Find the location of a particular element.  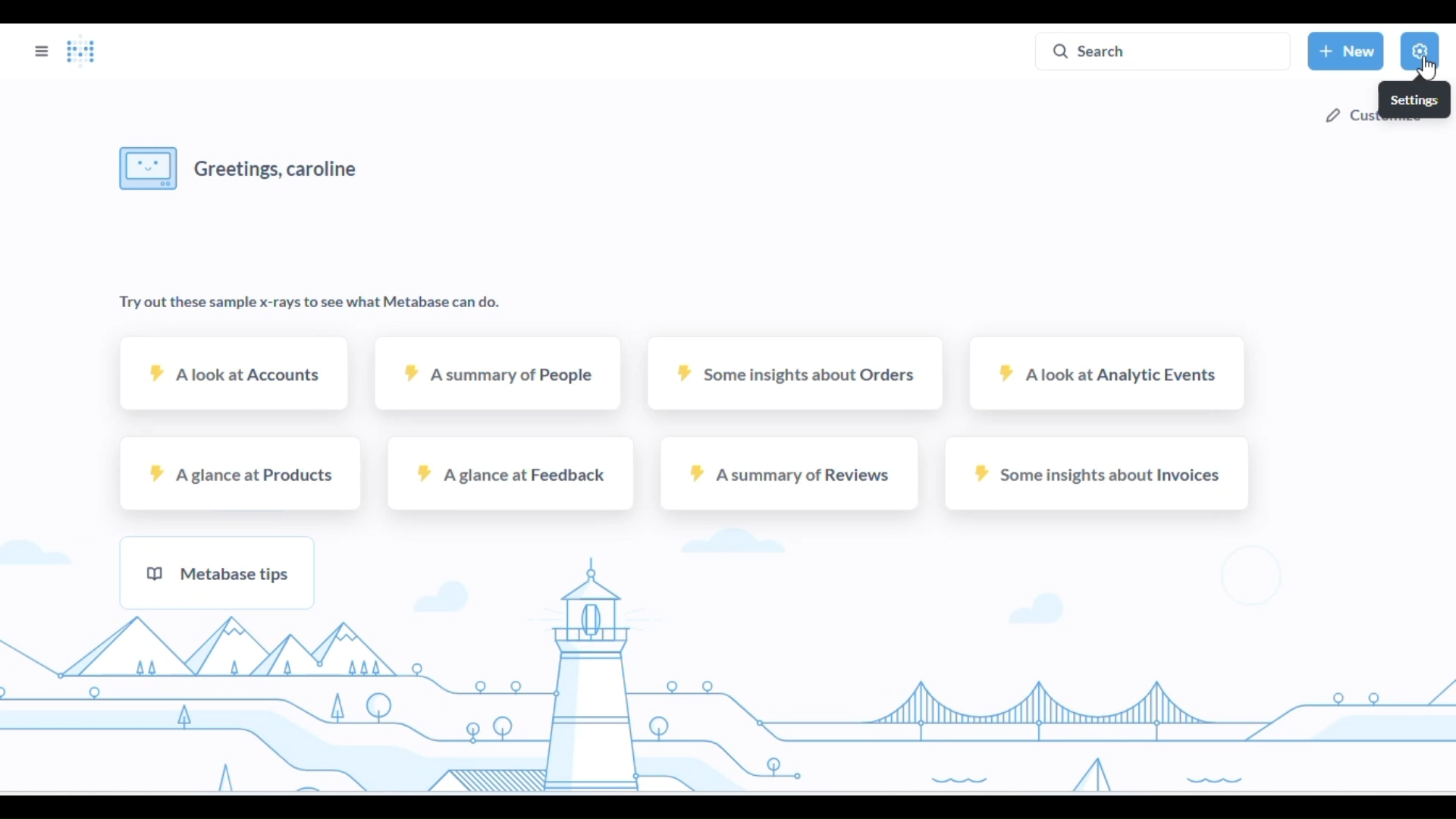

a look at accounts is located at coordinates (235, 372).